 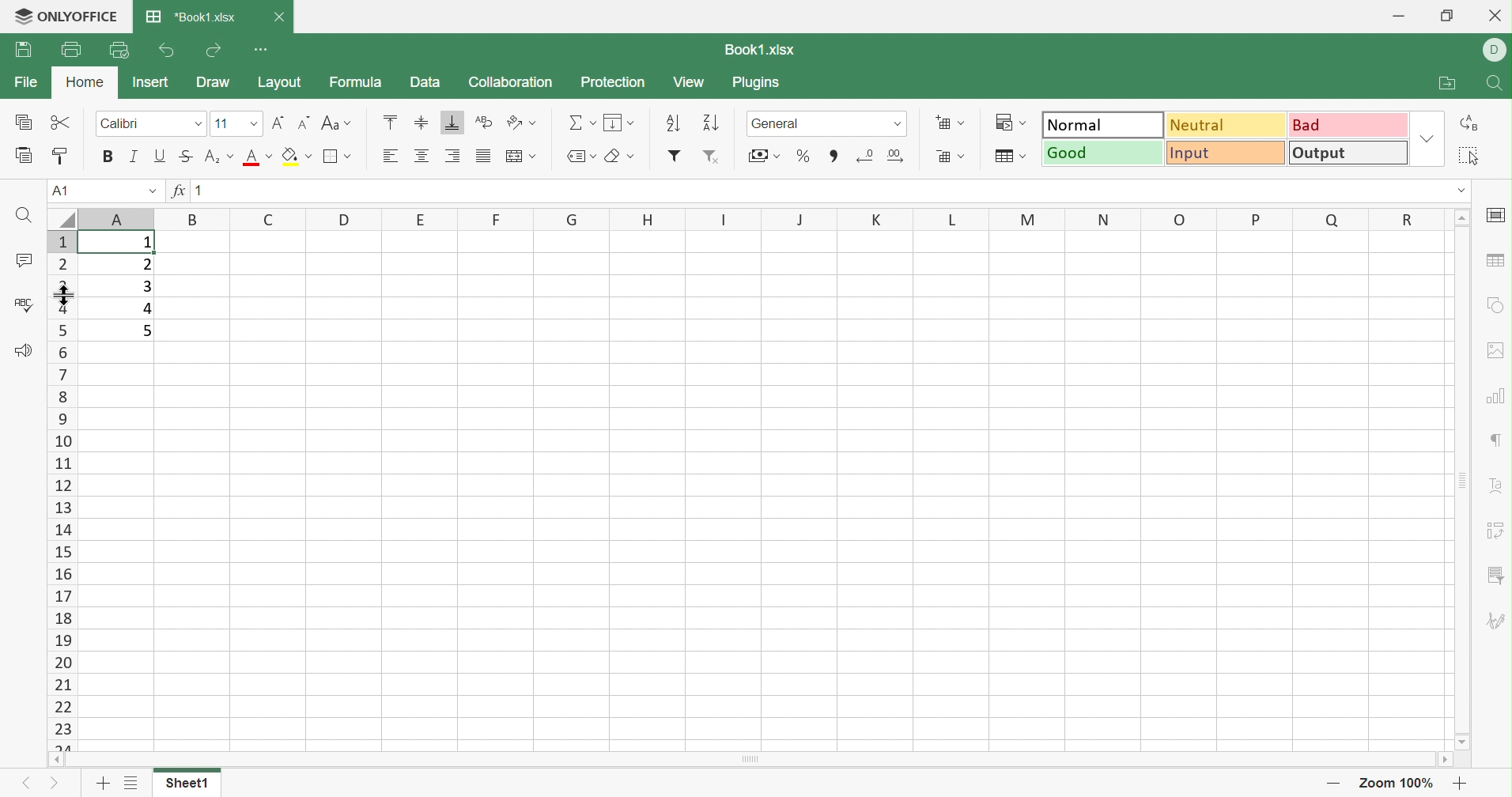 I want to click on 5, so click(x=146, y=332).